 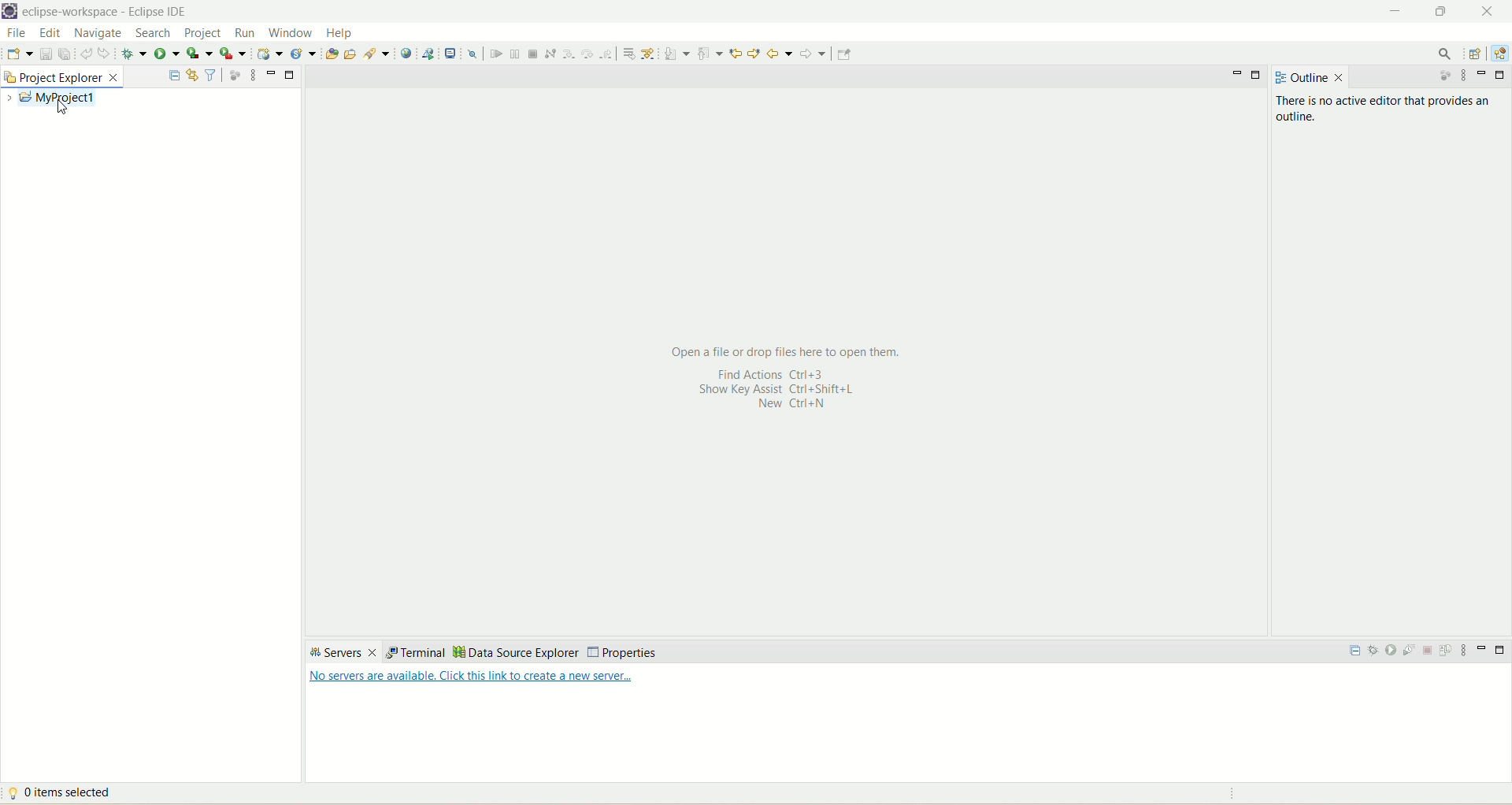 I want to click on maximize, so click(x=1501, y=652).